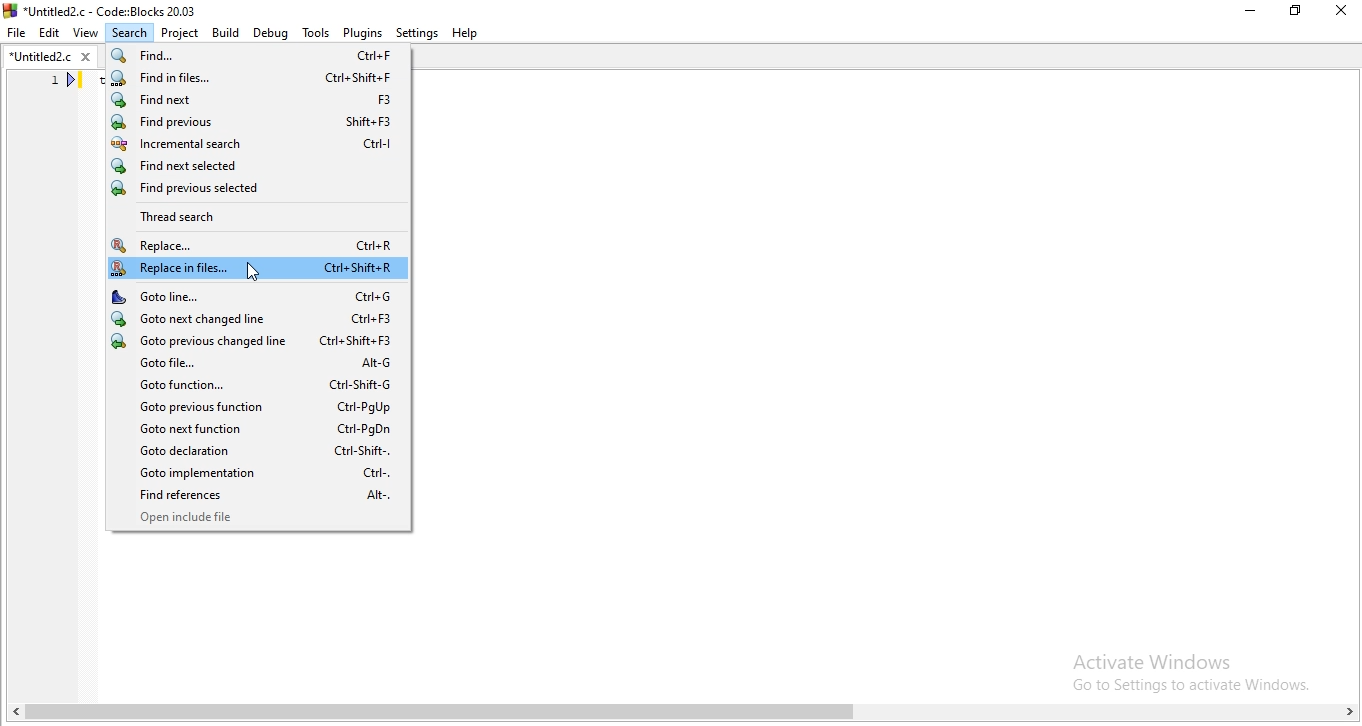 The height and width of the screenshot is (726, 1362). What do you see at coordinates (258, 450) in the screenshot?
I see `Goto declaration` at bounding box center [258, 450].